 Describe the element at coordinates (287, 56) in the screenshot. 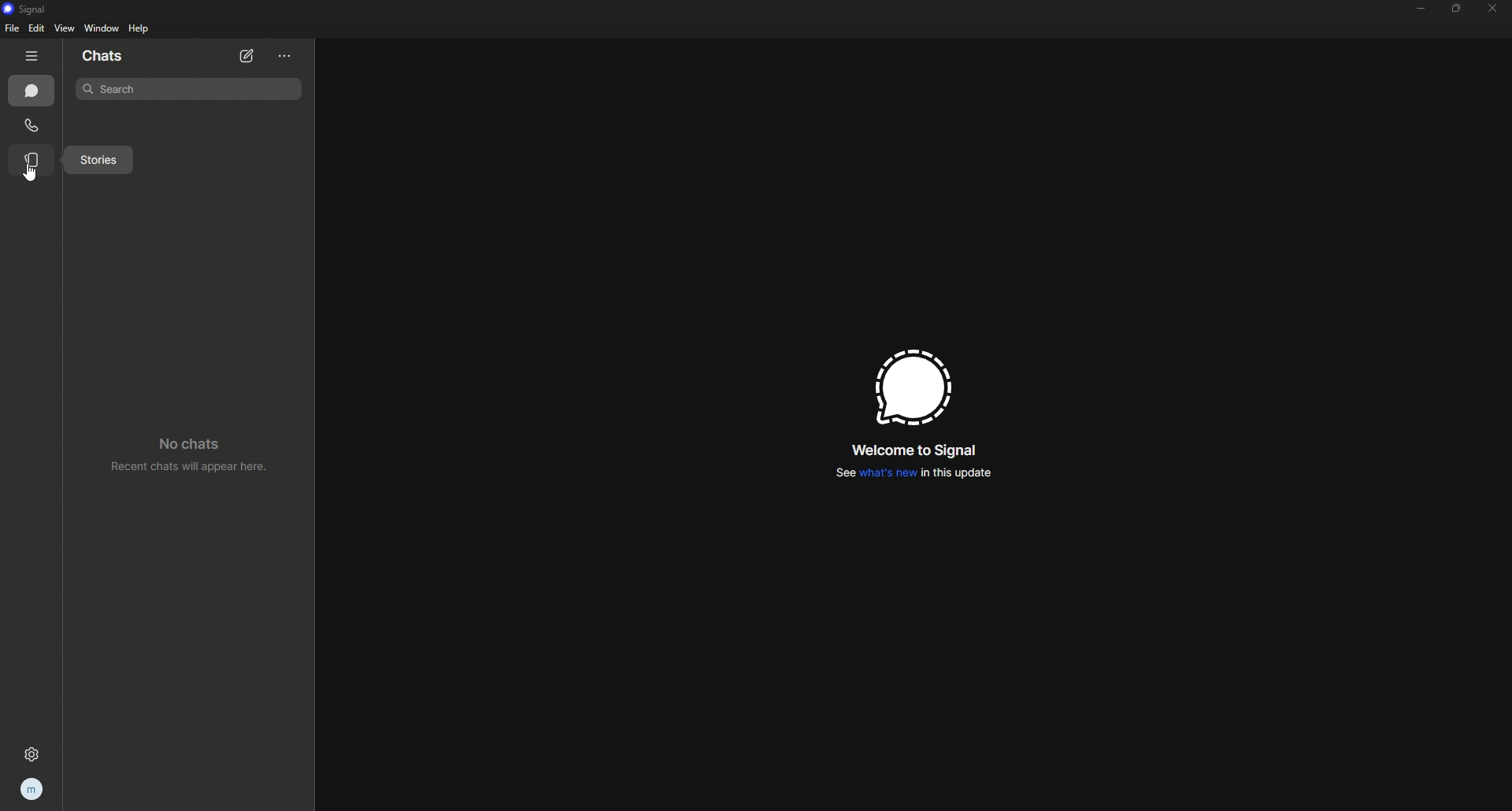

I see `options` at that location.